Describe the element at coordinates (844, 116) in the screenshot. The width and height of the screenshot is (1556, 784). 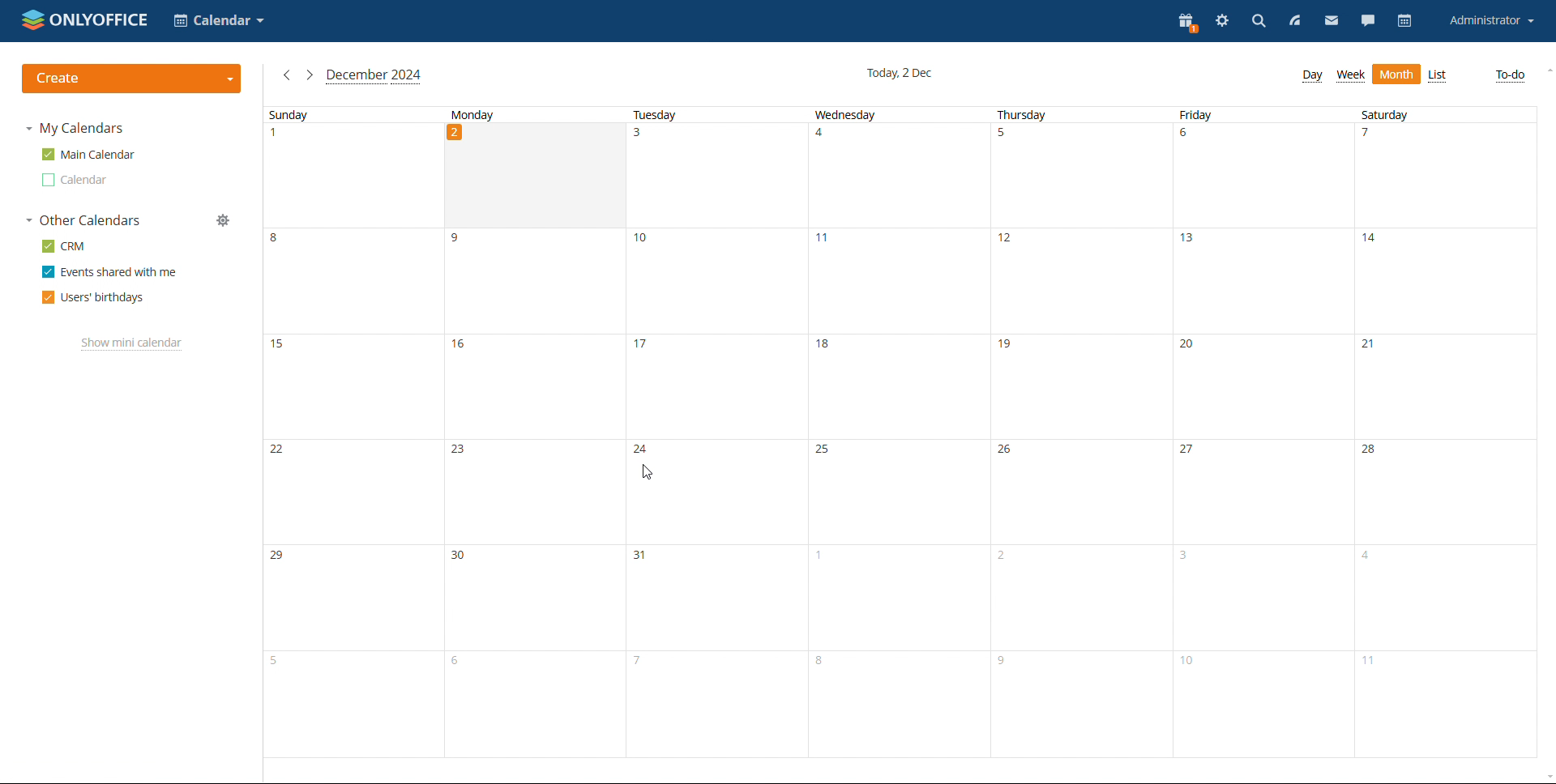
I see `Wednesday` at that location.